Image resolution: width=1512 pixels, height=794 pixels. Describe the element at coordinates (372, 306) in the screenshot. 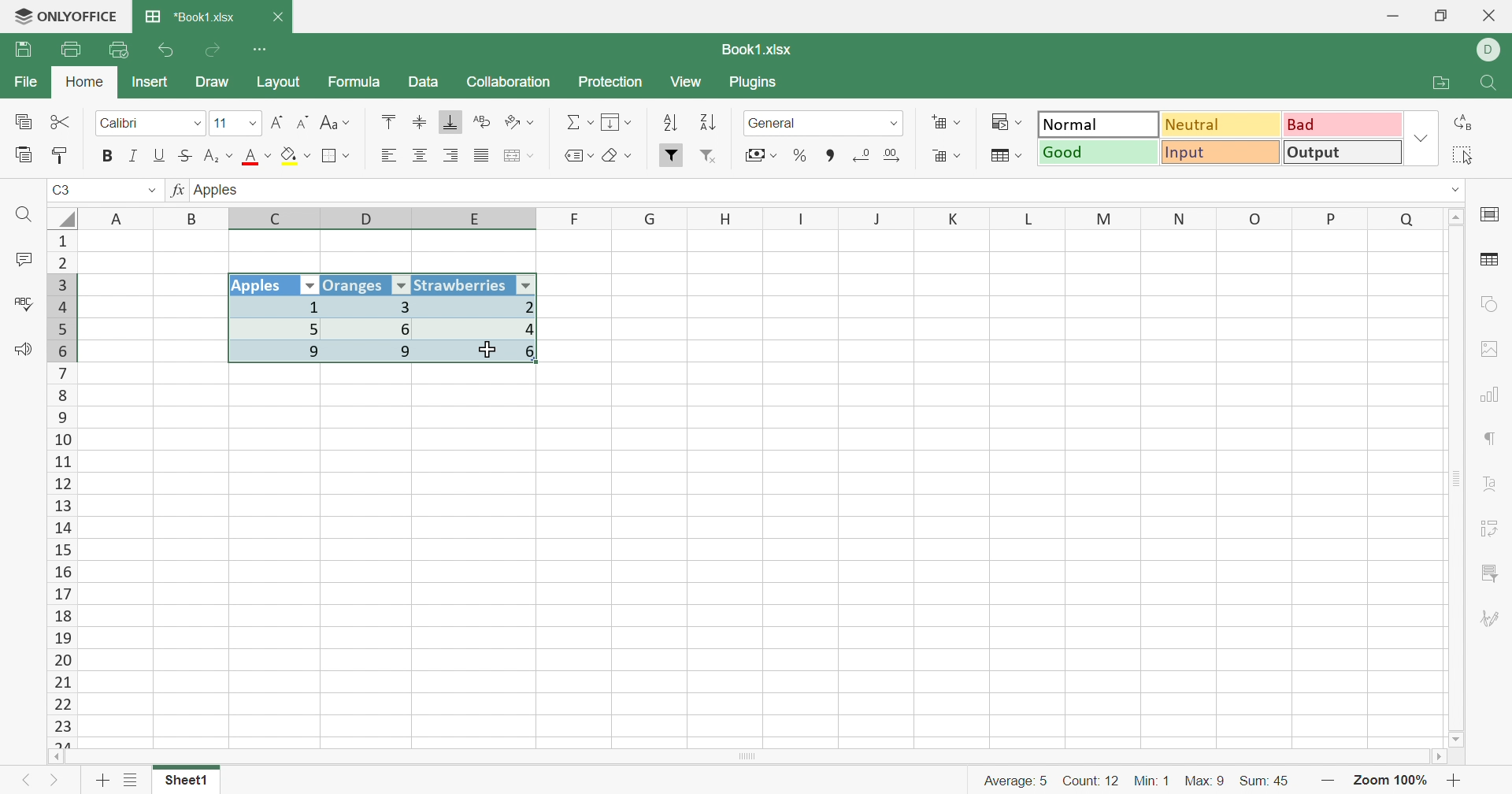

I see `3` at that location.